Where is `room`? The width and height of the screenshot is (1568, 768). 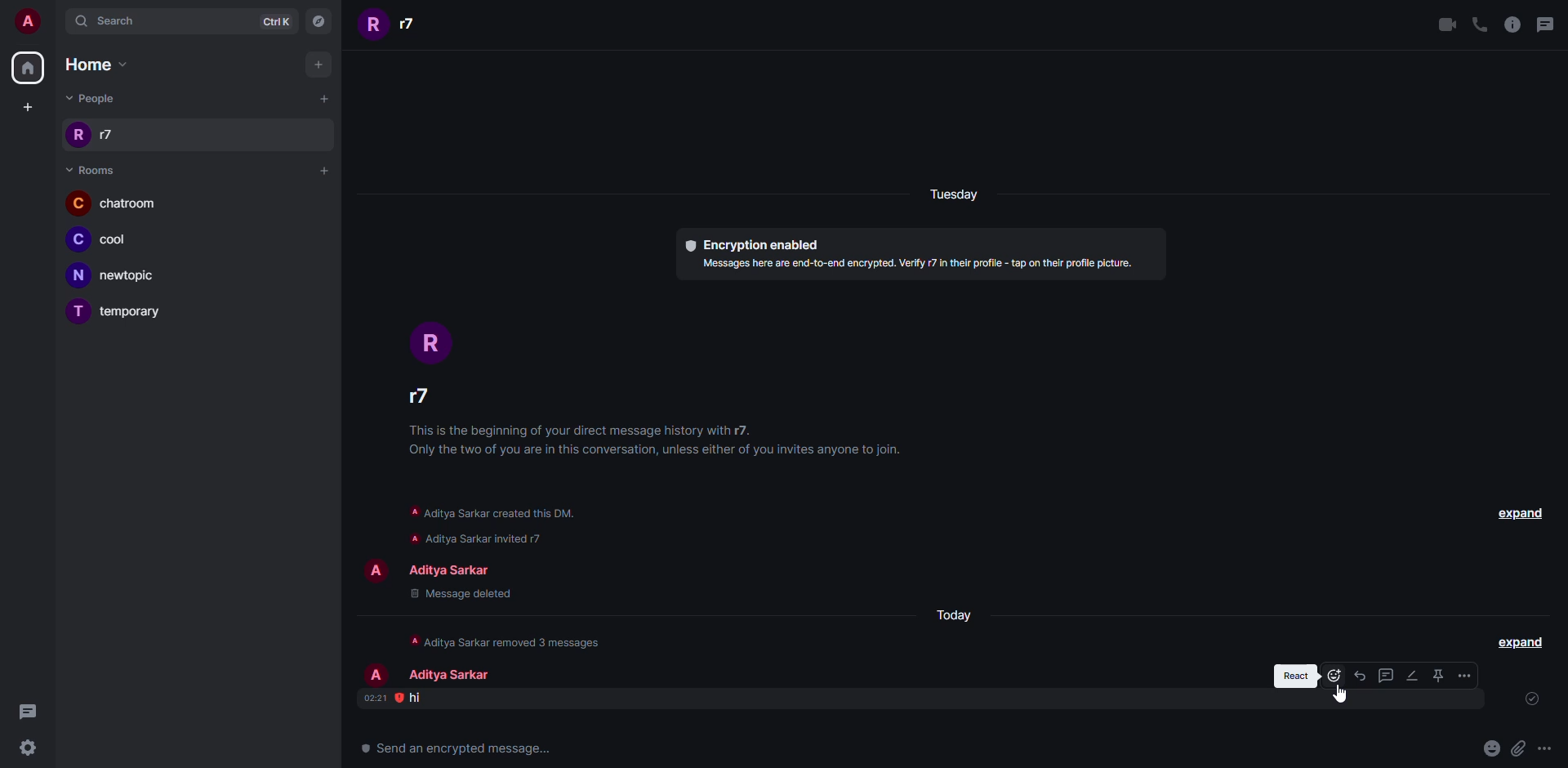
room is located at coordinates (118, 276).